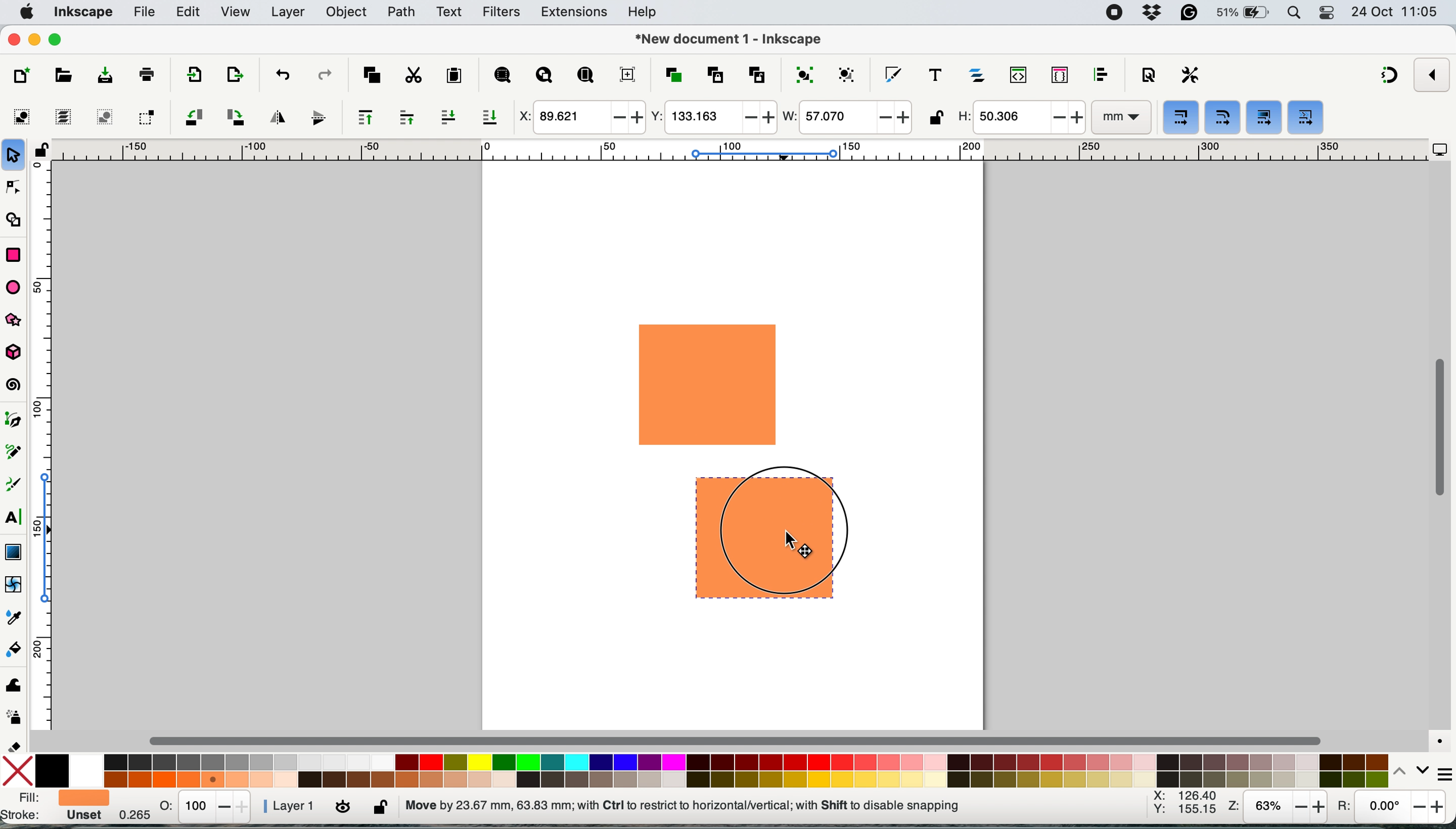  I want to click on selectors and css, so click(1060, 74).